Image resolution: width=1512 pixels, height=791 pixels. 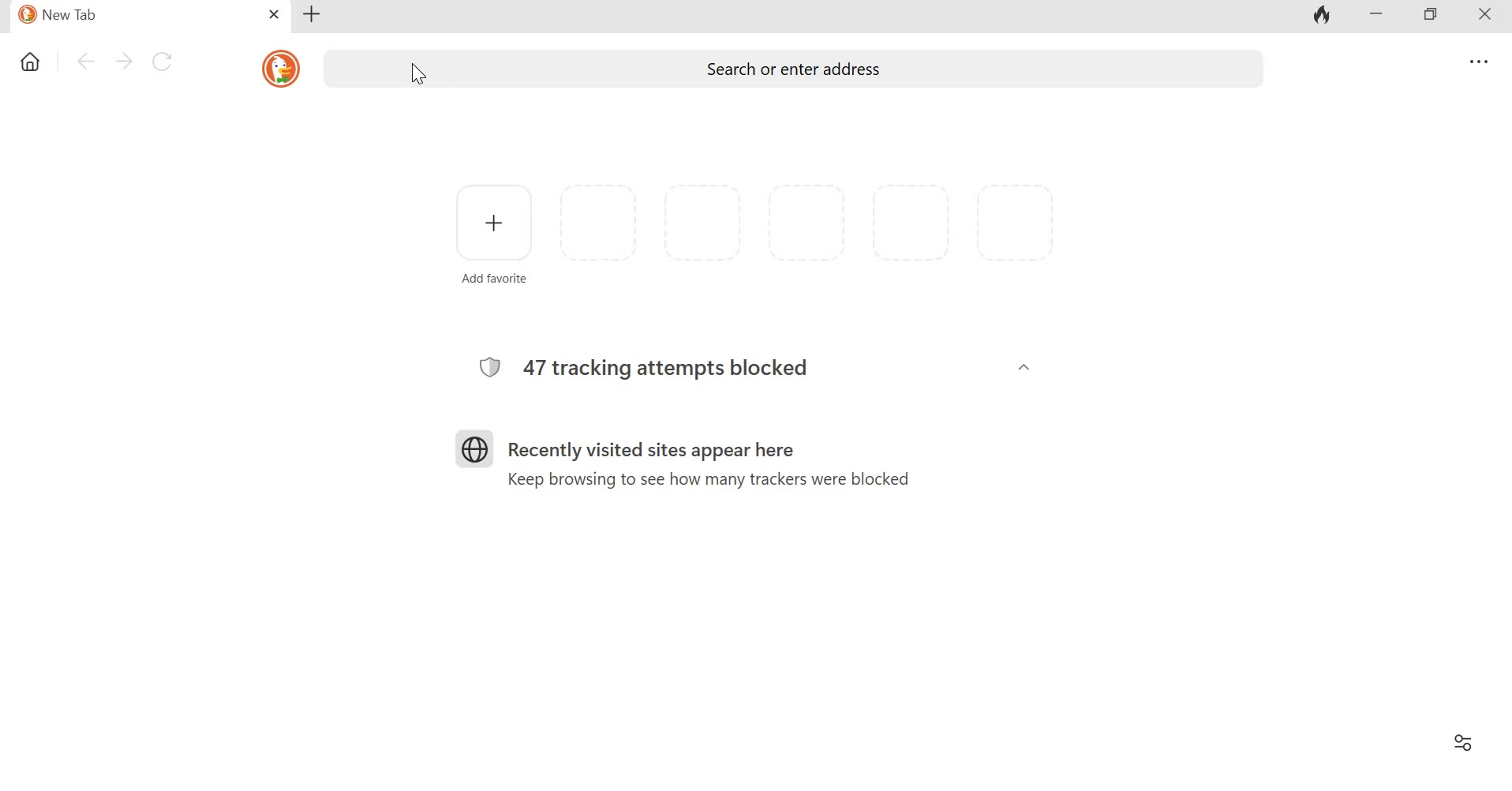 What do you see at coordinates (1024, 367) in the screenshot?
I see `Collapse/Expand` at bounding box center [1024, 367].